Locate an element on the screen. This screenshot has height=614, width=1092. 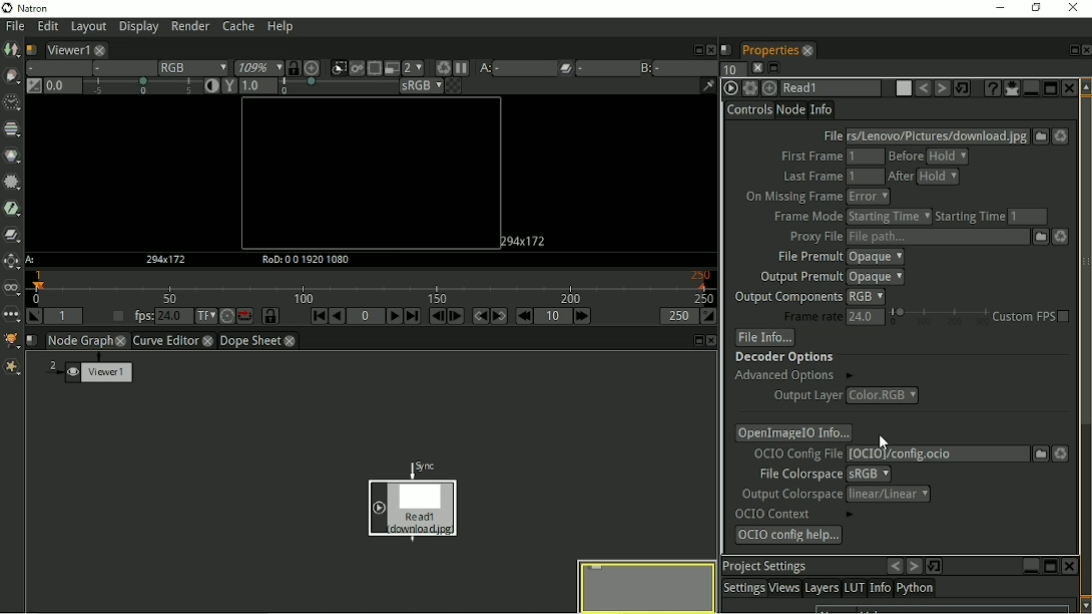
Properties is located at coordinates (775, 48).